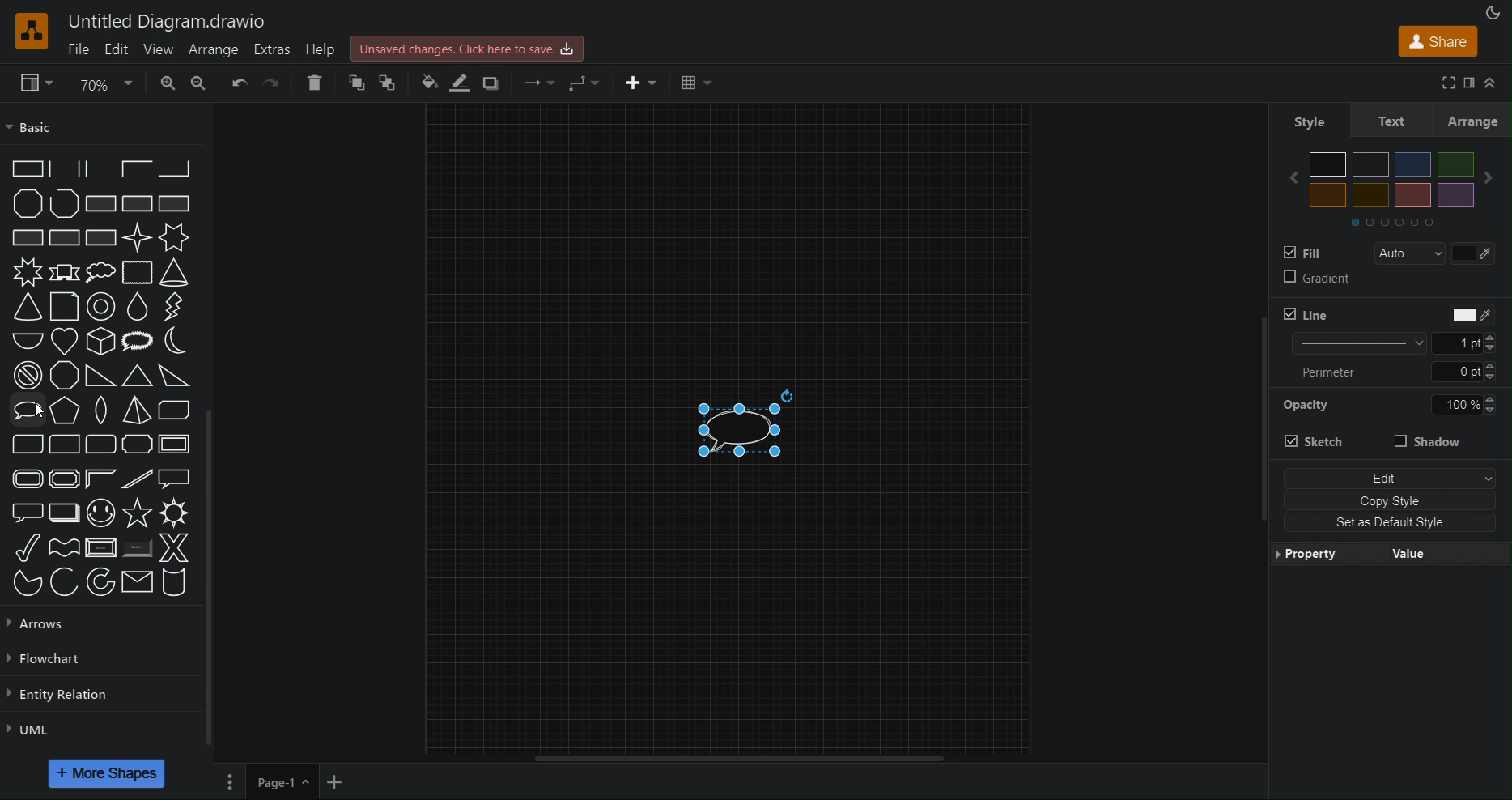 This screenshot has height=800, width=1512. I want to click on Canvas, so click(730, 240).